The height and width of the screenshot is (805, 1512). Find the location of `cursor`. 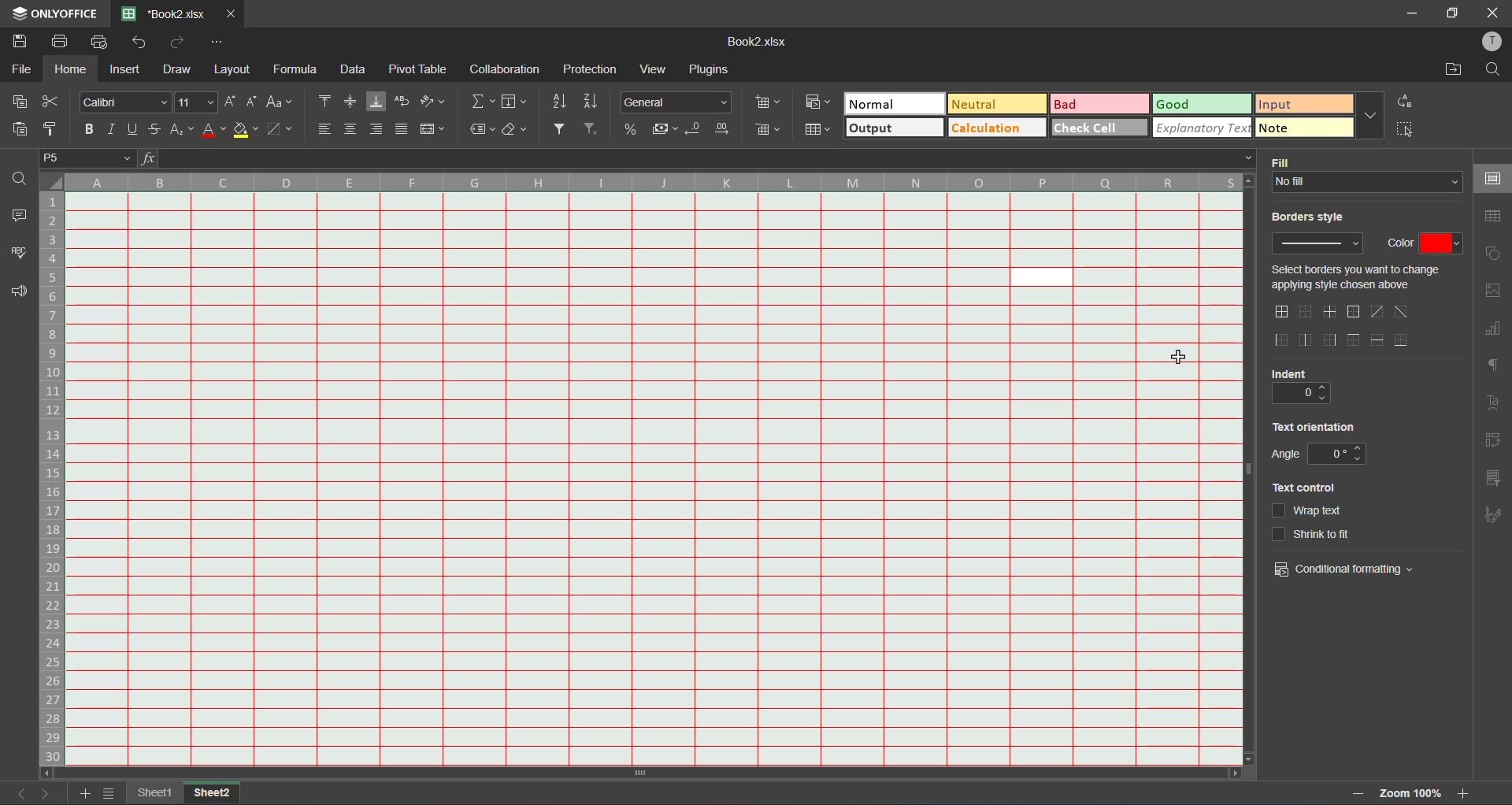

cursor is located at coordinates (1173, 358).